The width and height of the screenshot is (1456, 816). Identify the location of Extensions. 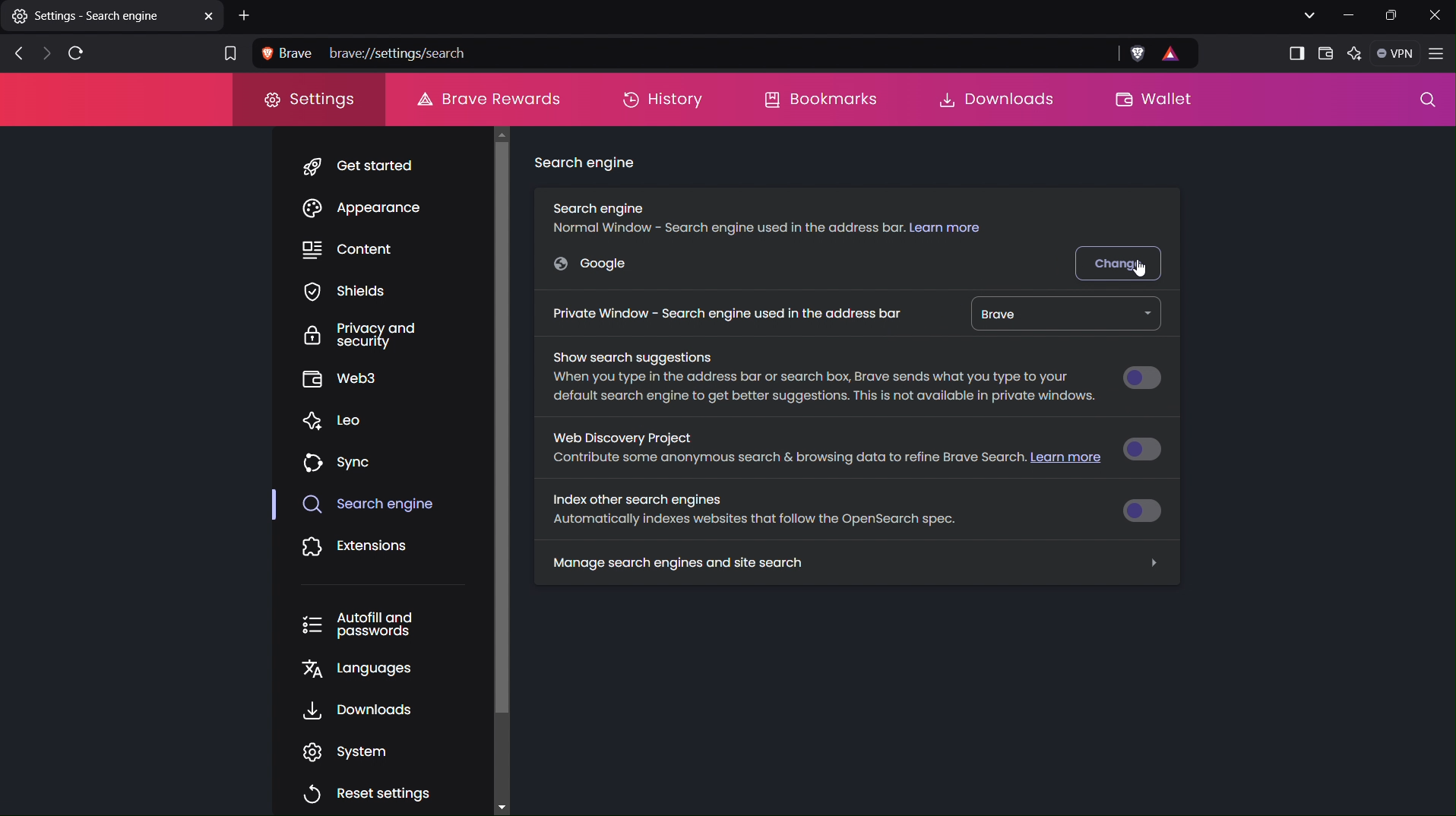
(356, 548).